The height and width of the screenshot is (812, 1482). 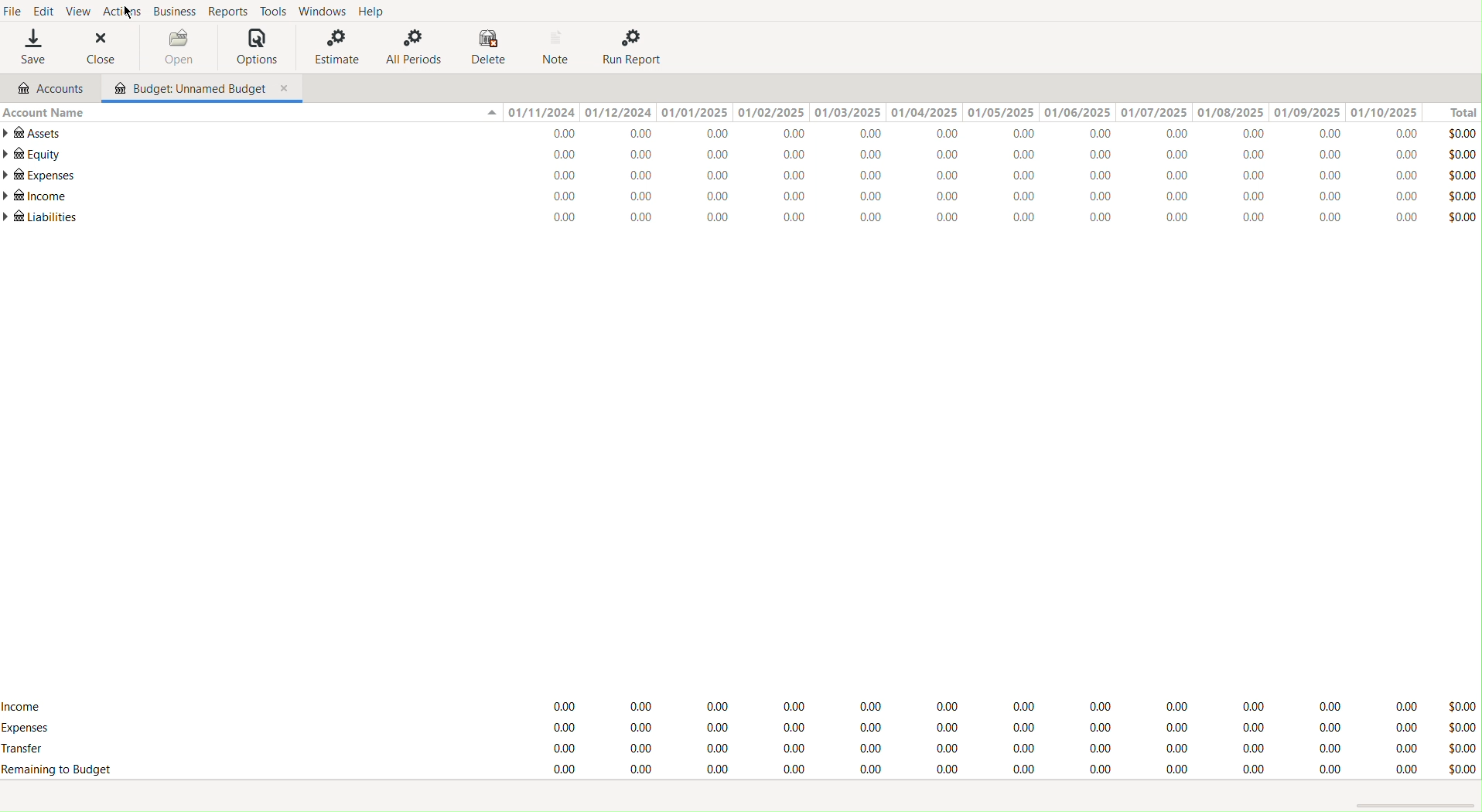 I want to click on Expenses, so click(x=39, y=176).